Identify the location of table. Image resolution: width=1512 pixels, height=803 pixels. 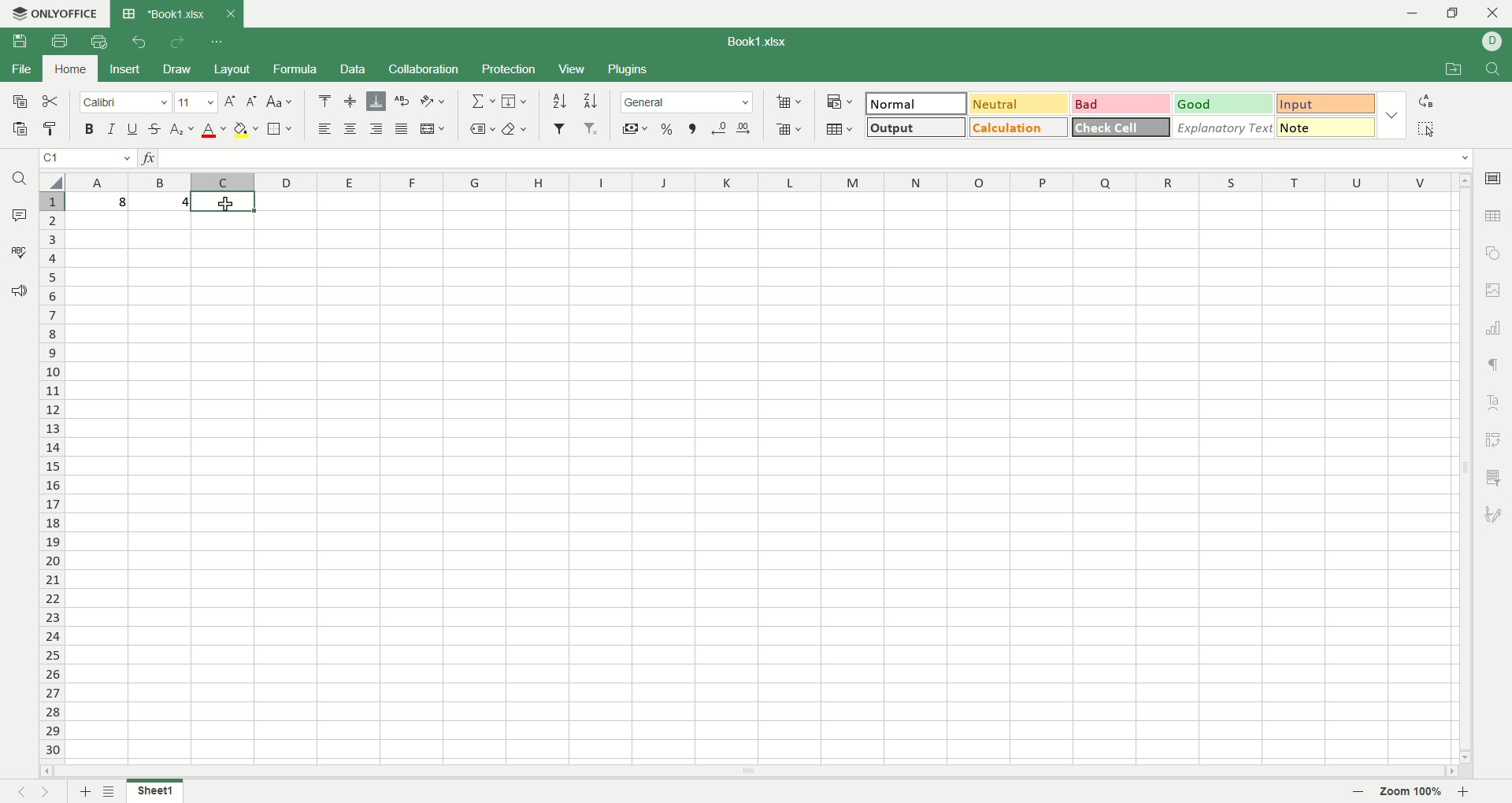
(838, 128).